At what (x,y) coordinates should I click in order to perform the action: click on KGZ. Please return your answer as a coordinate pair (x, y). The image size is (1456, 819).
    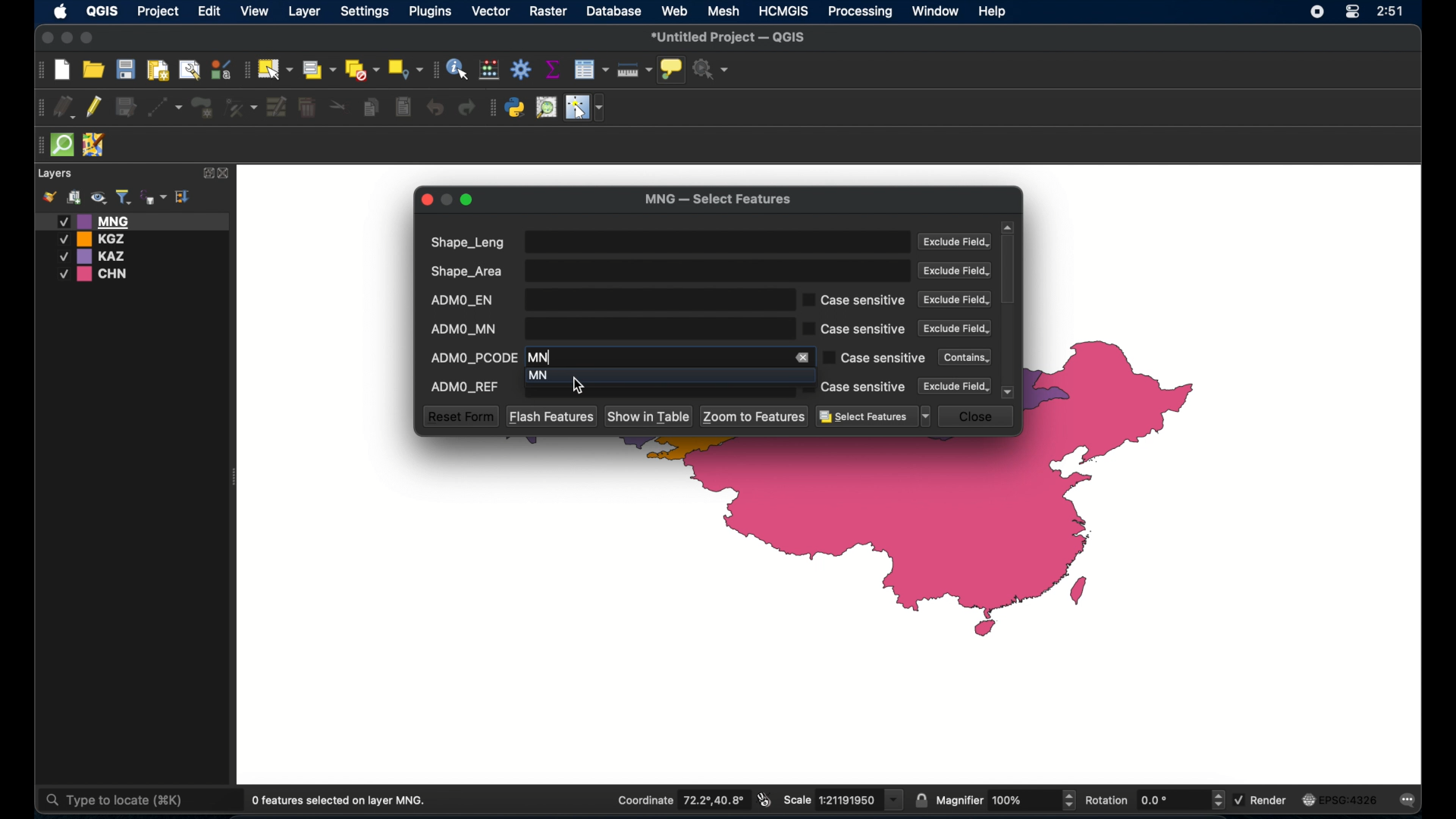
    Looking at the image, I should click on (96, 239).